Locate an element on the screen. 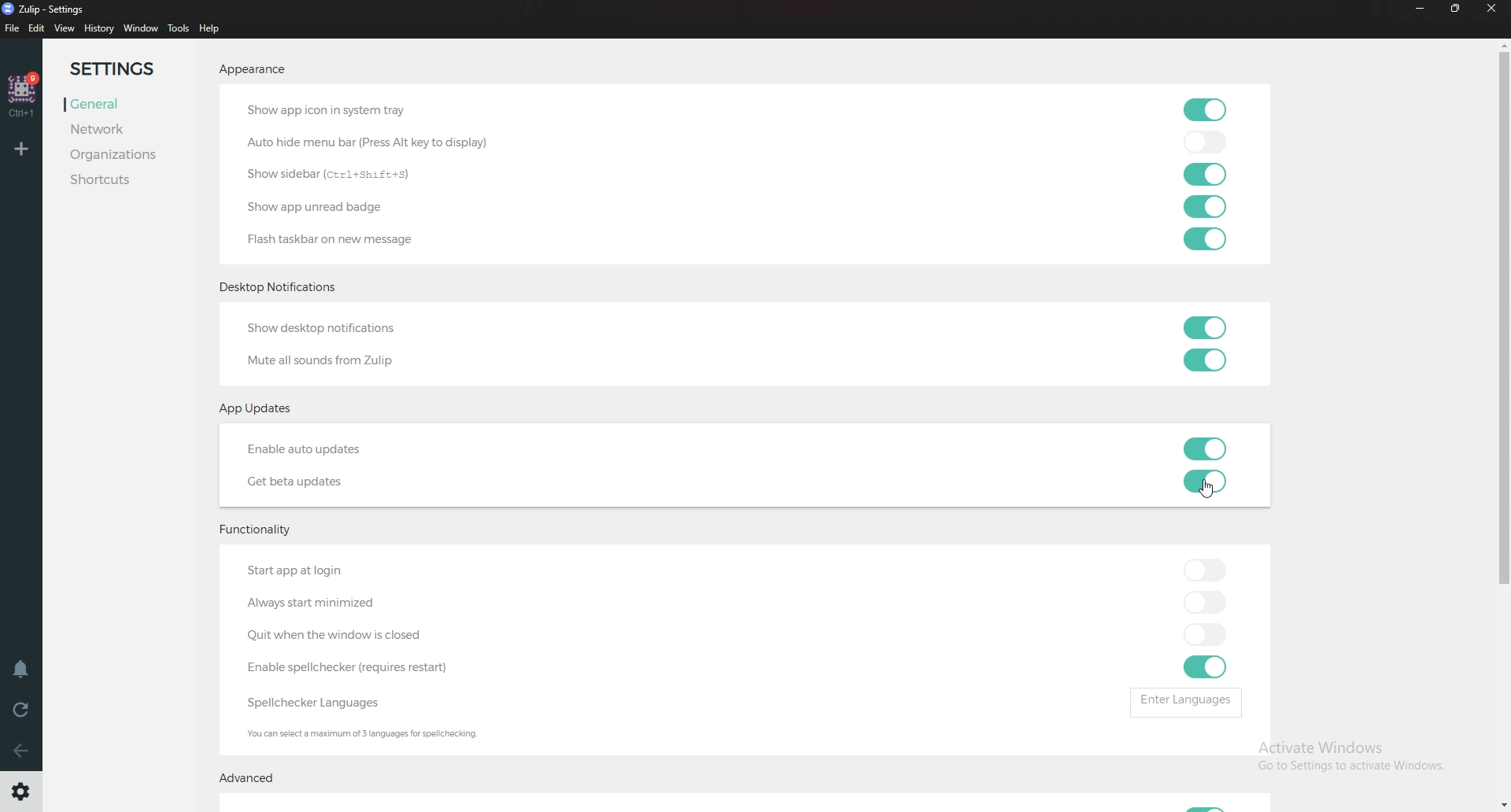 The image size is (1511, 812). Scroll bar is located at coordinates (1502, 323).